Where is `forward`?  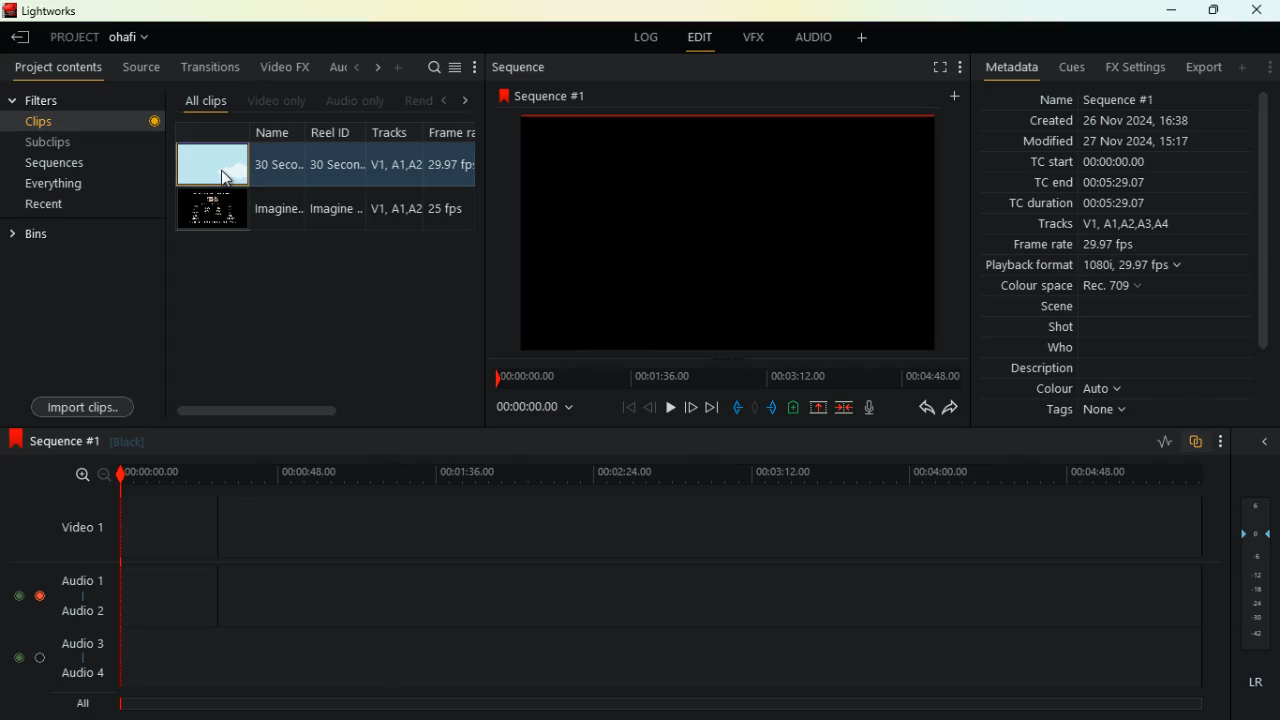 forward is located at coordinates (713, 407).